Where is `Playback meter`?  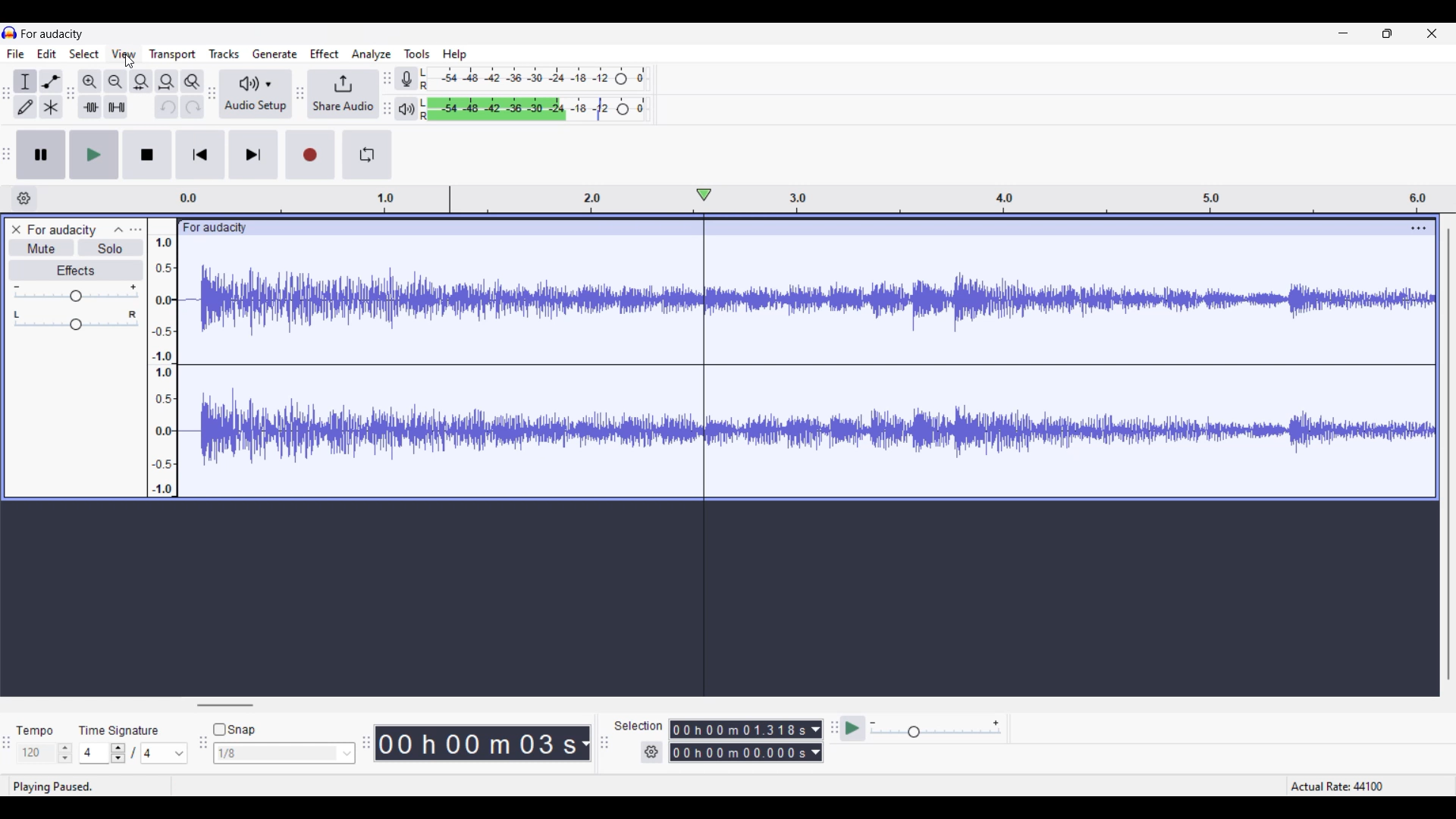
Playback meter is located at coordinates (405, 108).